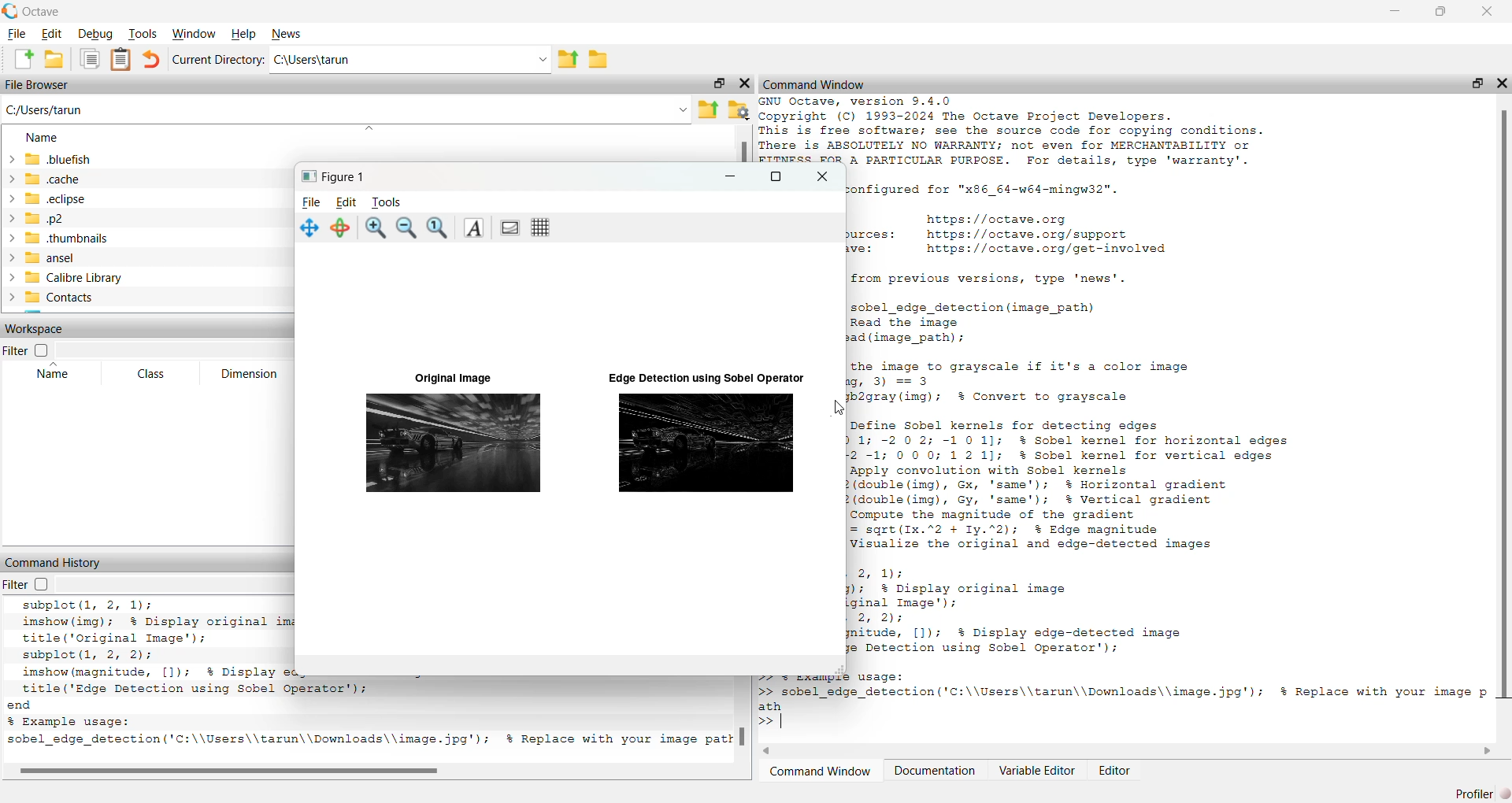  I want to click on File, so click(310, 200).